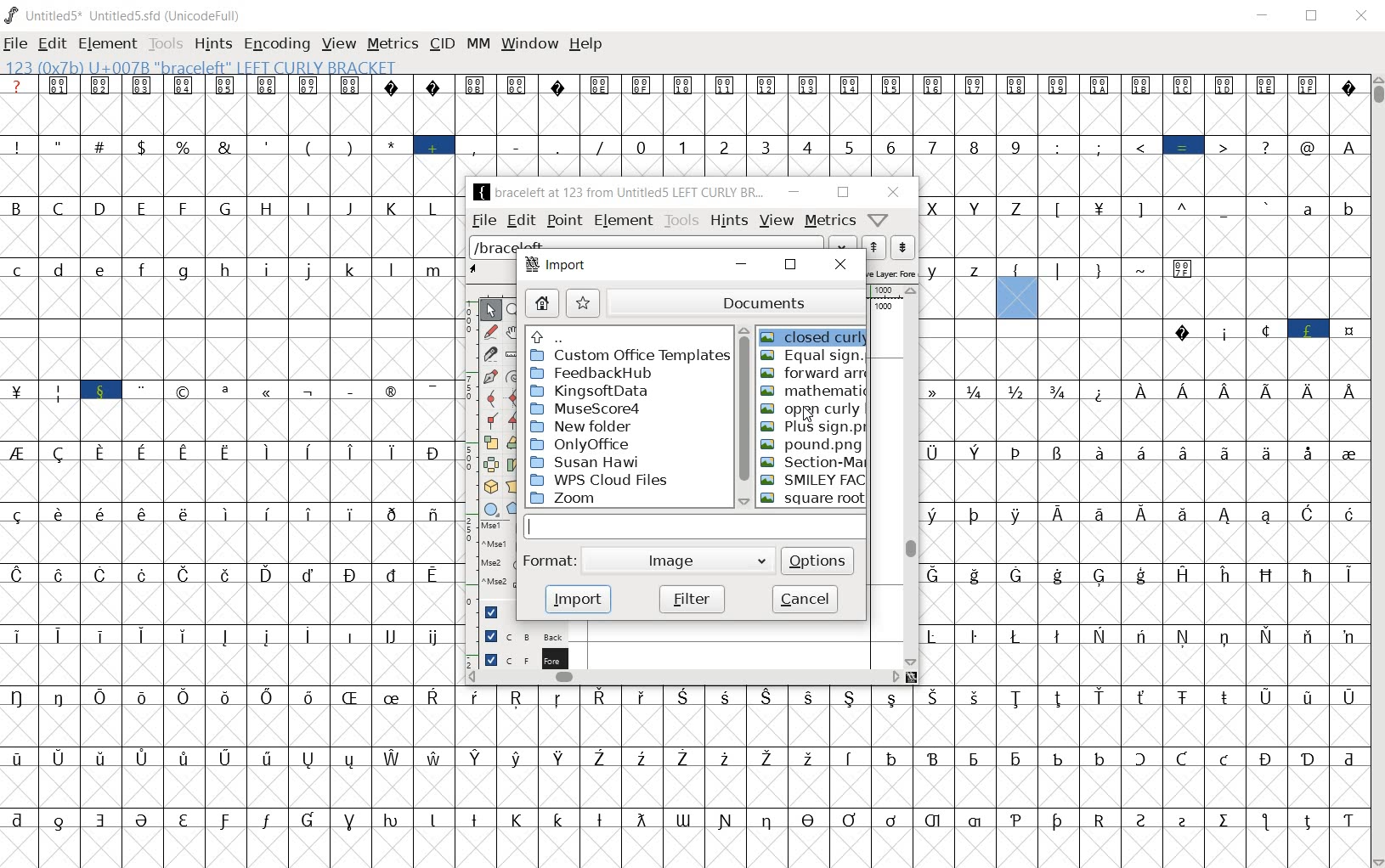  I want to click on Susan Hawi, so click(590, 462).